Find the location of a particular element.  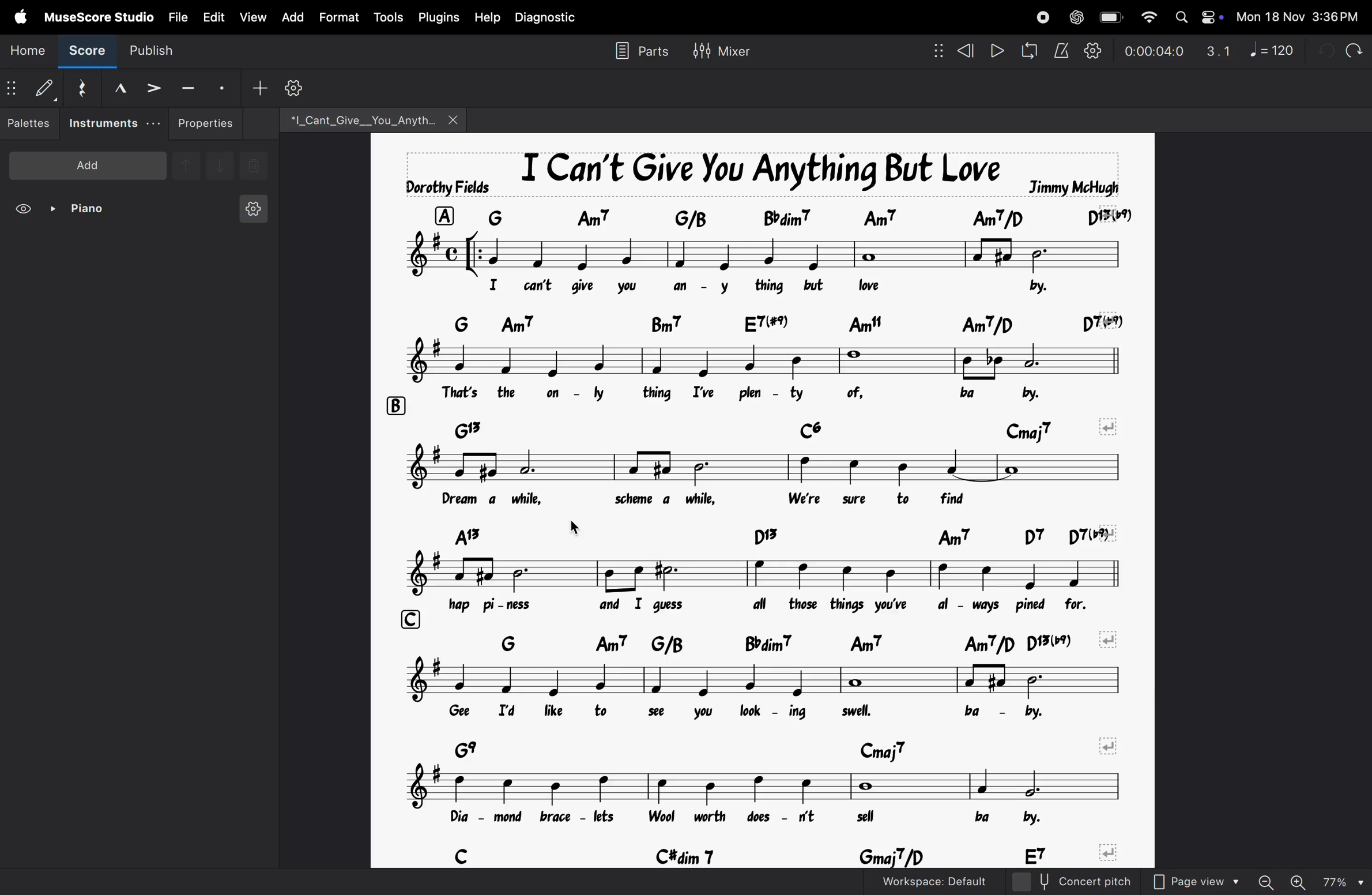

chord symbol is located at coordinates (813, 216).